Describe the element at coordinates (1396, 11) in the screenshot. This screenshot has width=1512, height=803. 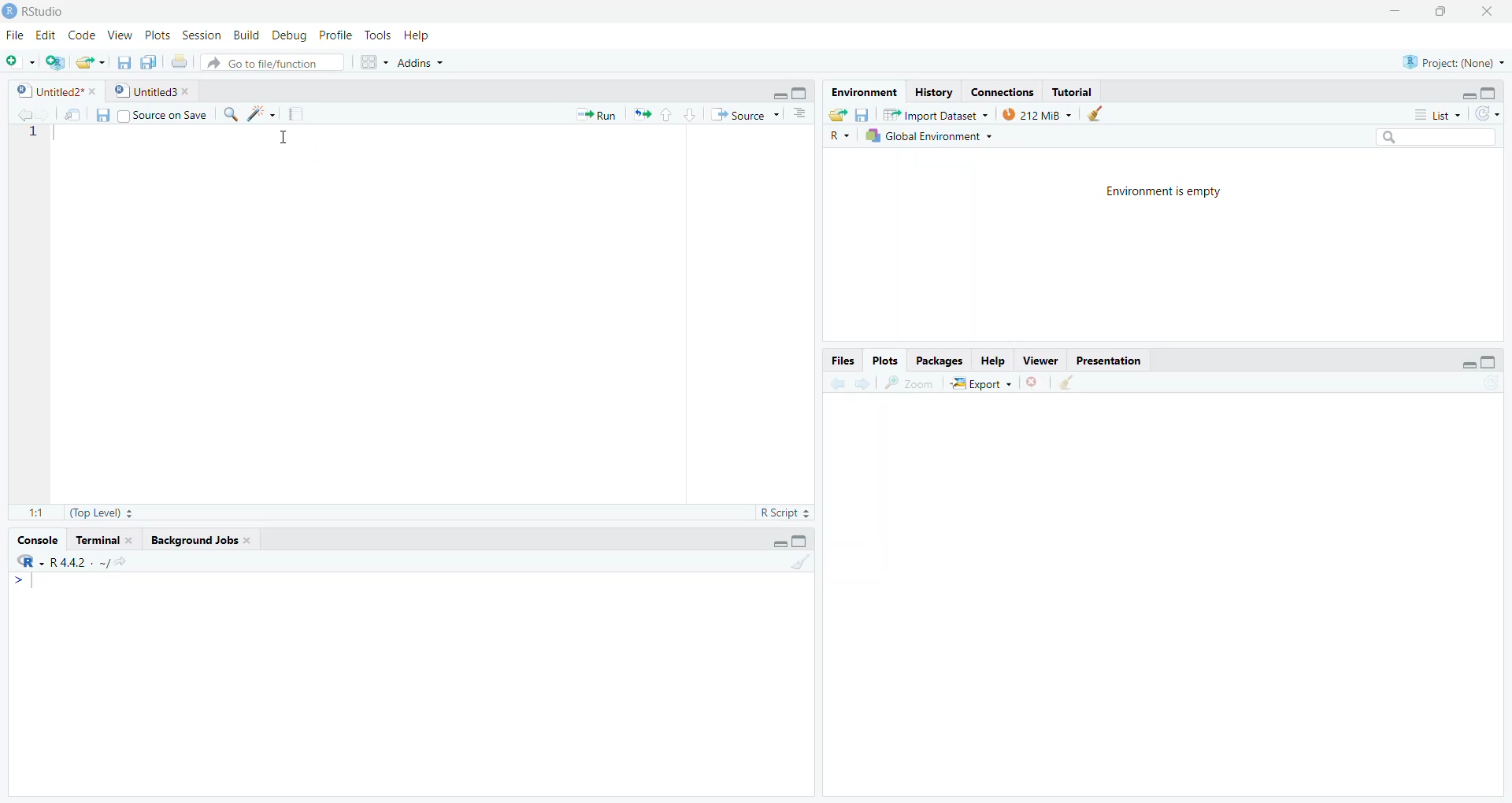
I see `minimize` at that location.